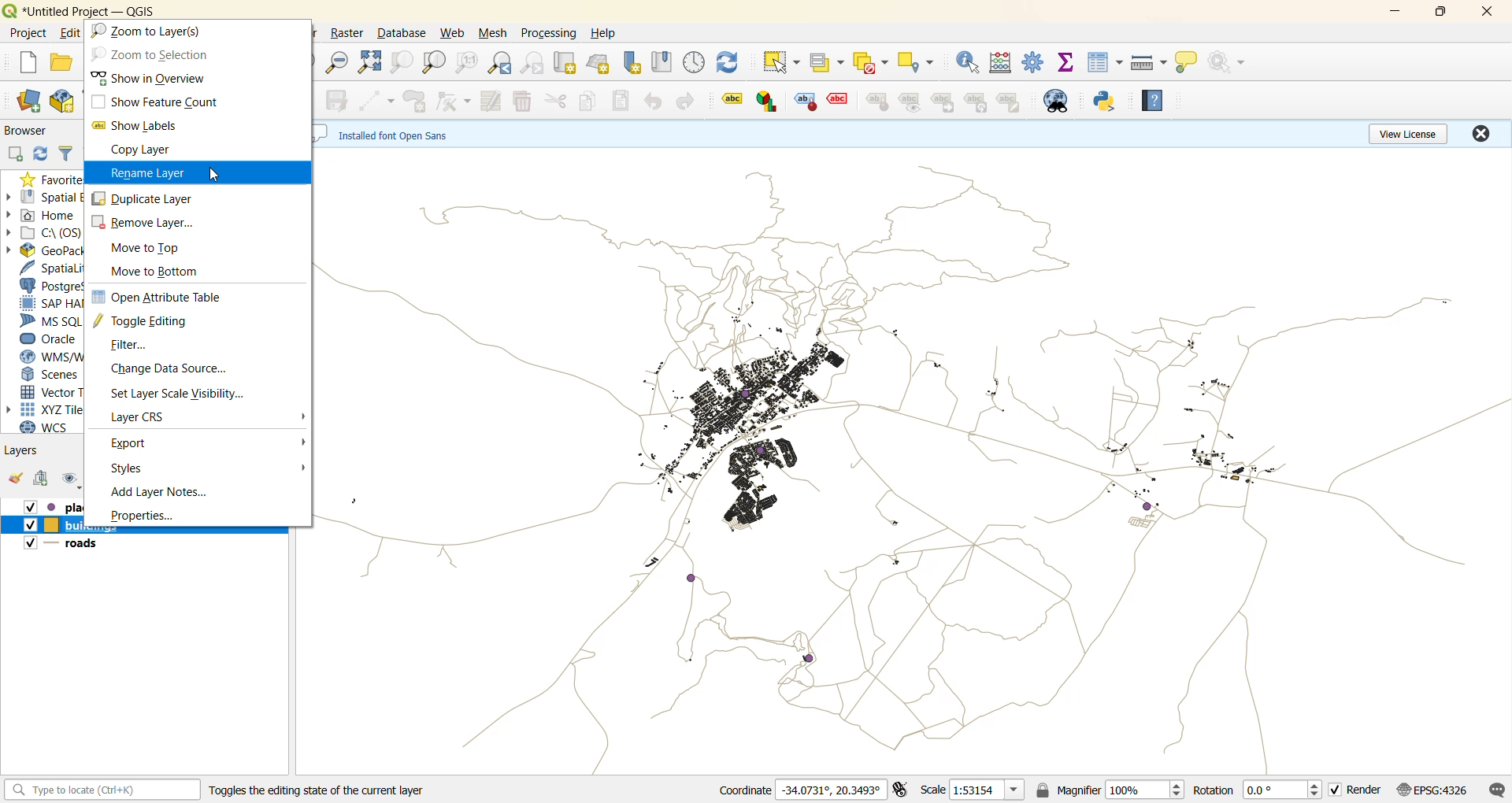 The width and height of the screenshot is (1512, 803). What do you see at coordinates (350, 32) in the screenshot?
I see `raster` at bounding box center [350, 32].